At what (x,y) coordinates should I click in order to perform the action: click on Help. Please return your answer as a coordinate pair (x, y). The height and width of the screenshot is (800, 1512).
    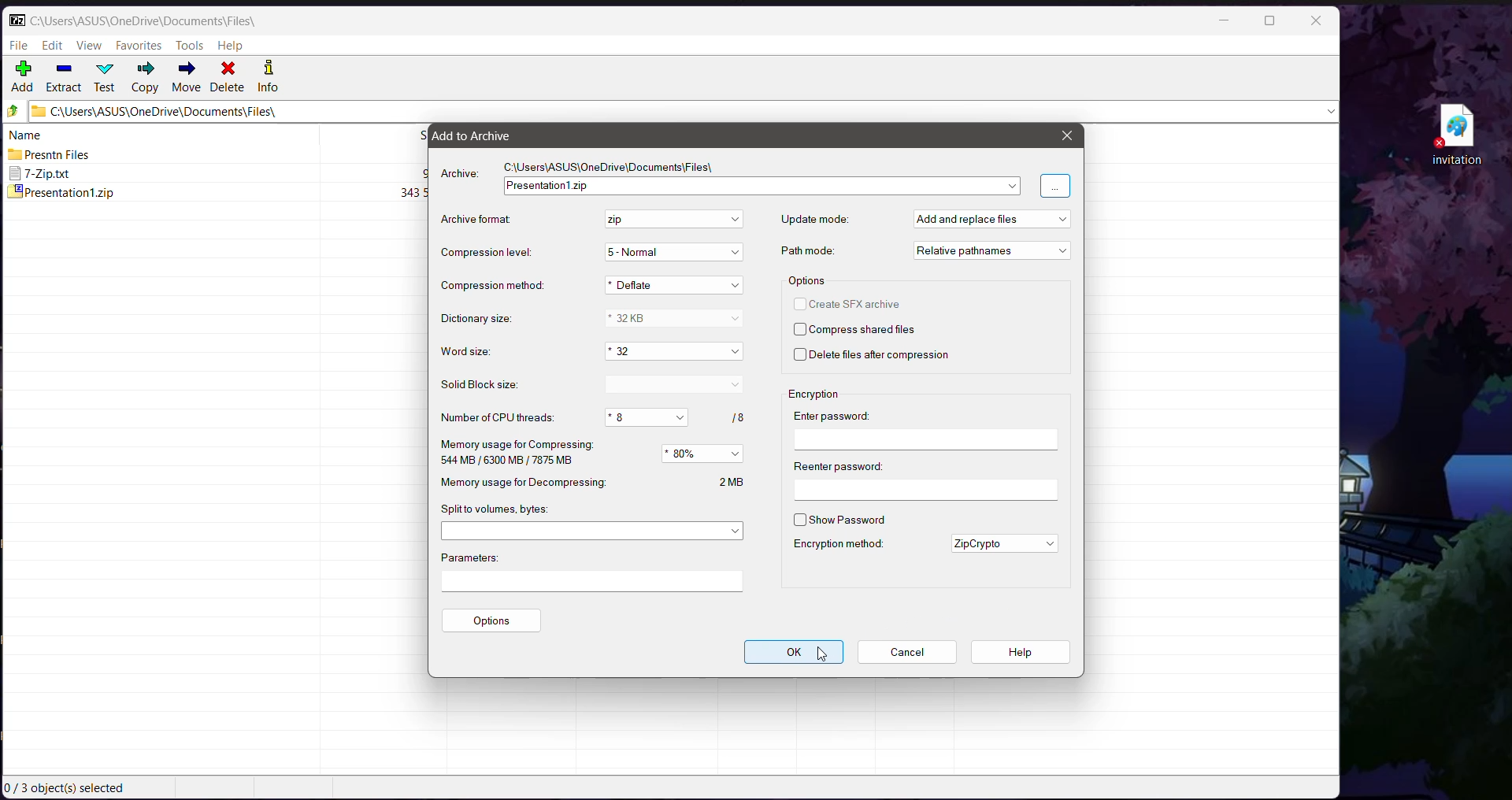
    Looking at the image, I should click on (1021, 652).